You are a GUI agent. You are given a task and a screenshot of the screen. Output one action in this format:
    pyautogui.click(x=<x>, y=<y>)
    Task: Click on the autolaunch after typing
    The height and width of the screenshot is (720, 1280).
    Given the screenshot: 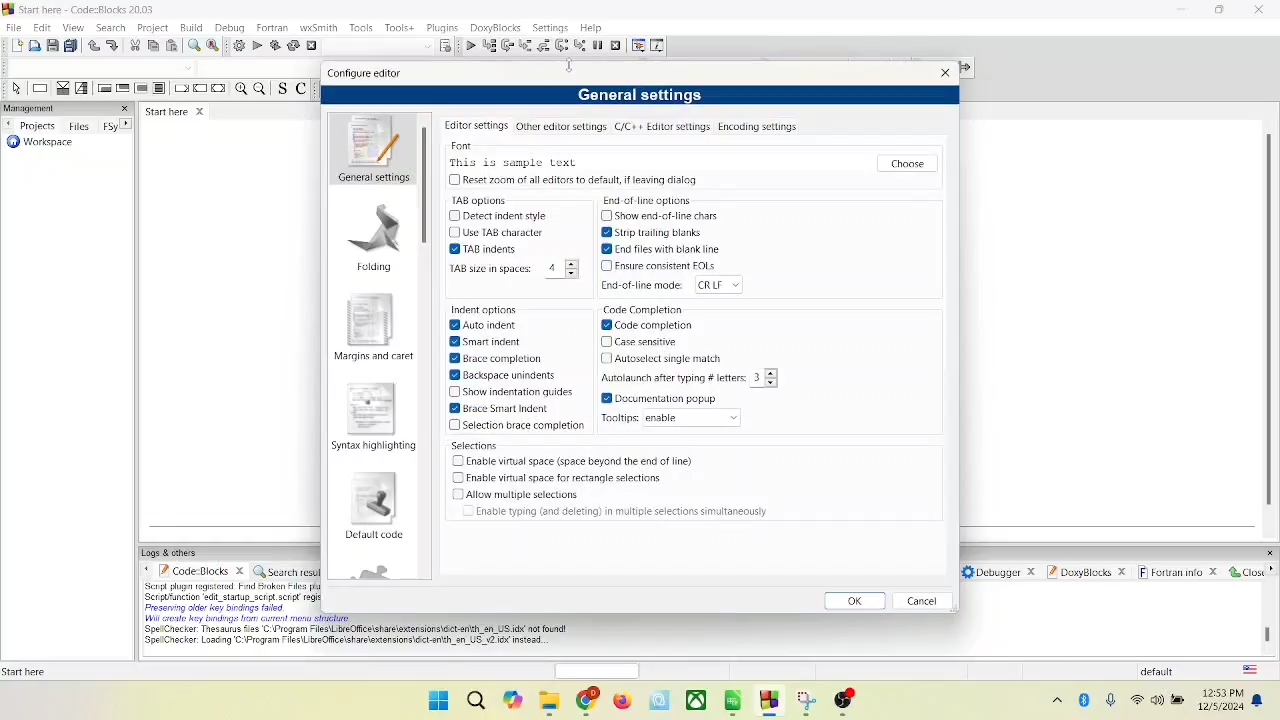 What is the action you would take?
    pyautogui.click(x=698, y=377)
    